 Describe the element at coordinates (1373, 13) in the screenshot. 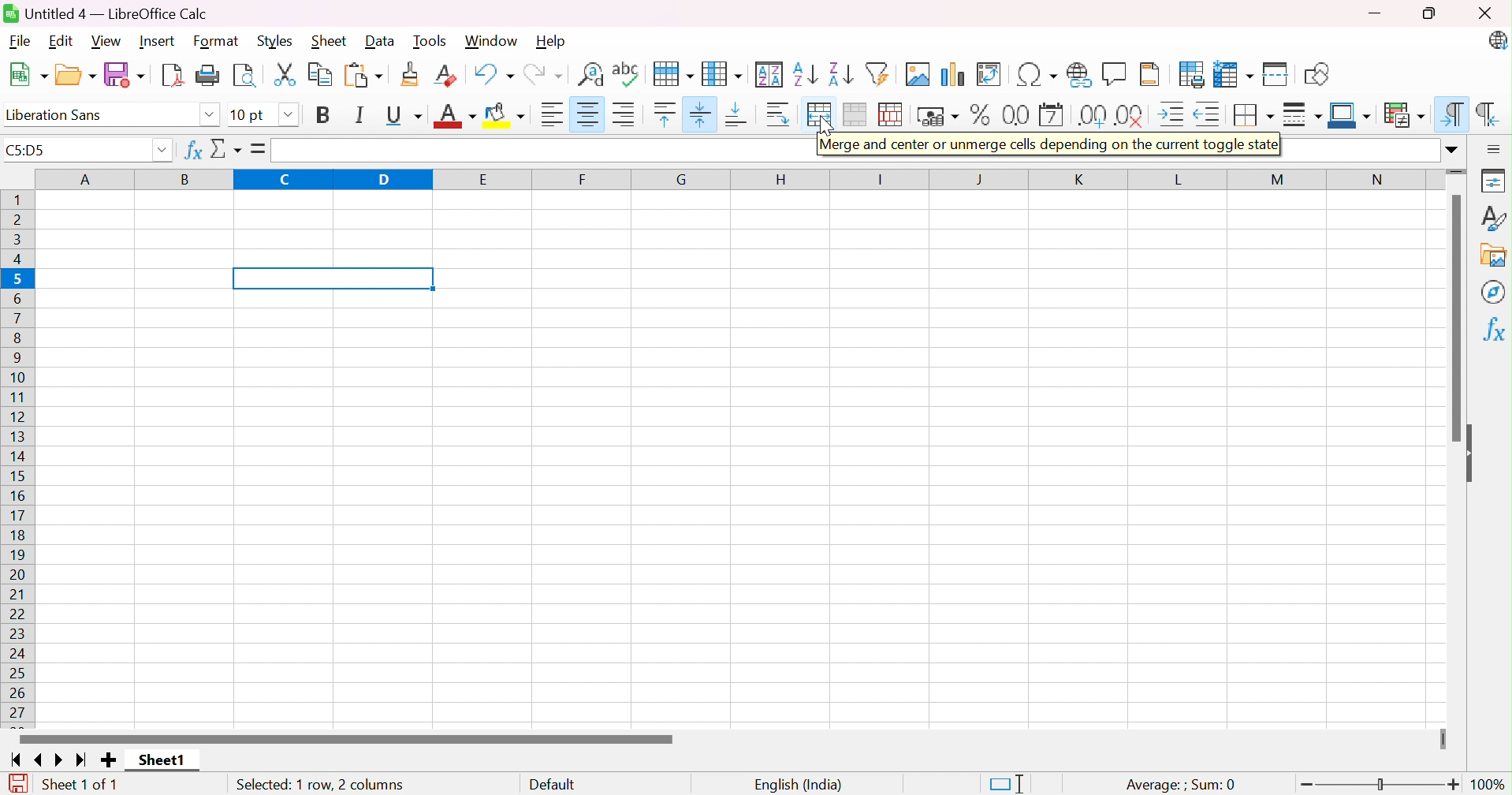

I see `Minimize` at that location.